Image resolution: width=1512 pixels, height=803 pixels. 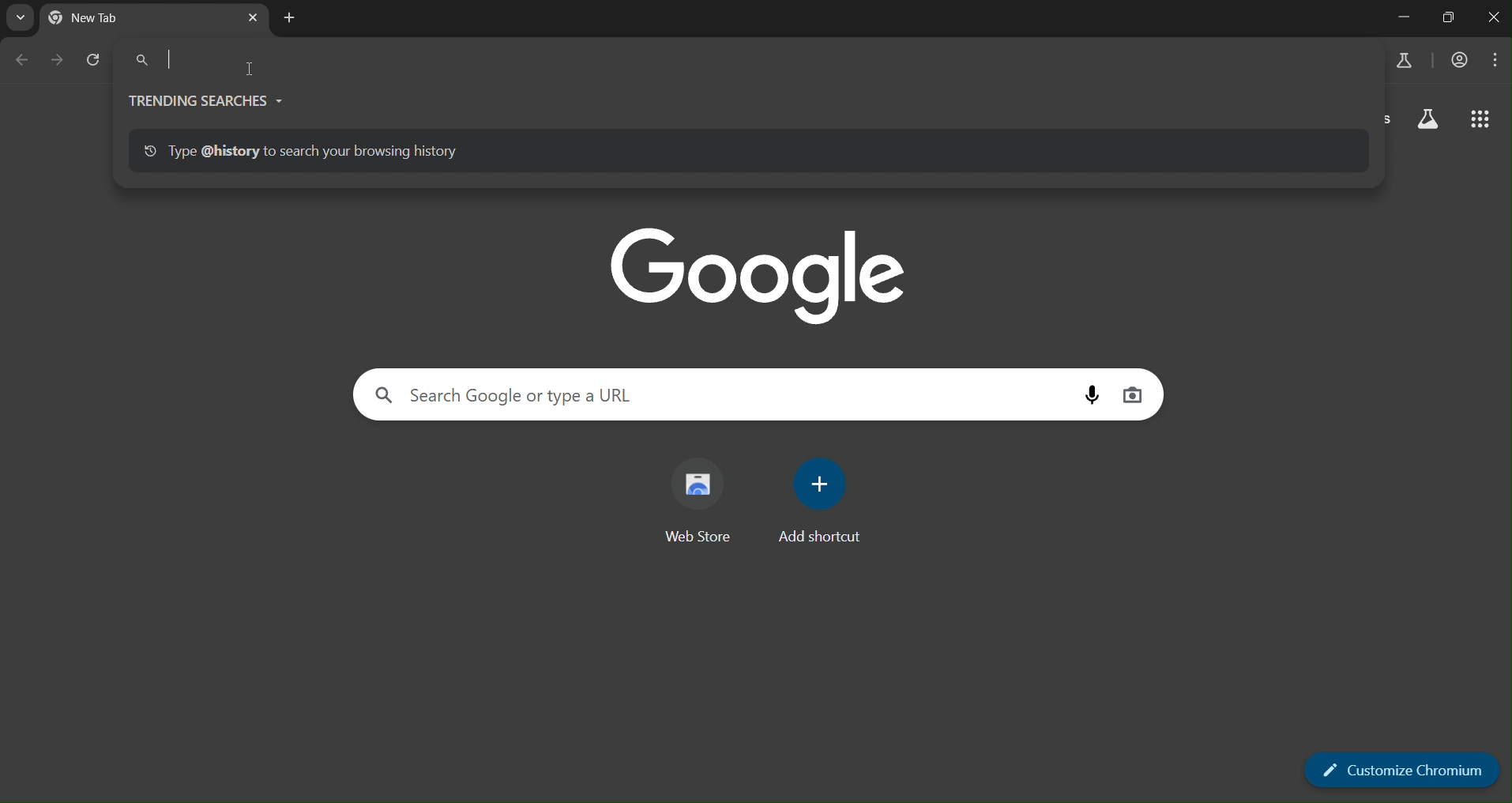 I want to click on account, so click(x=1461, y=62).